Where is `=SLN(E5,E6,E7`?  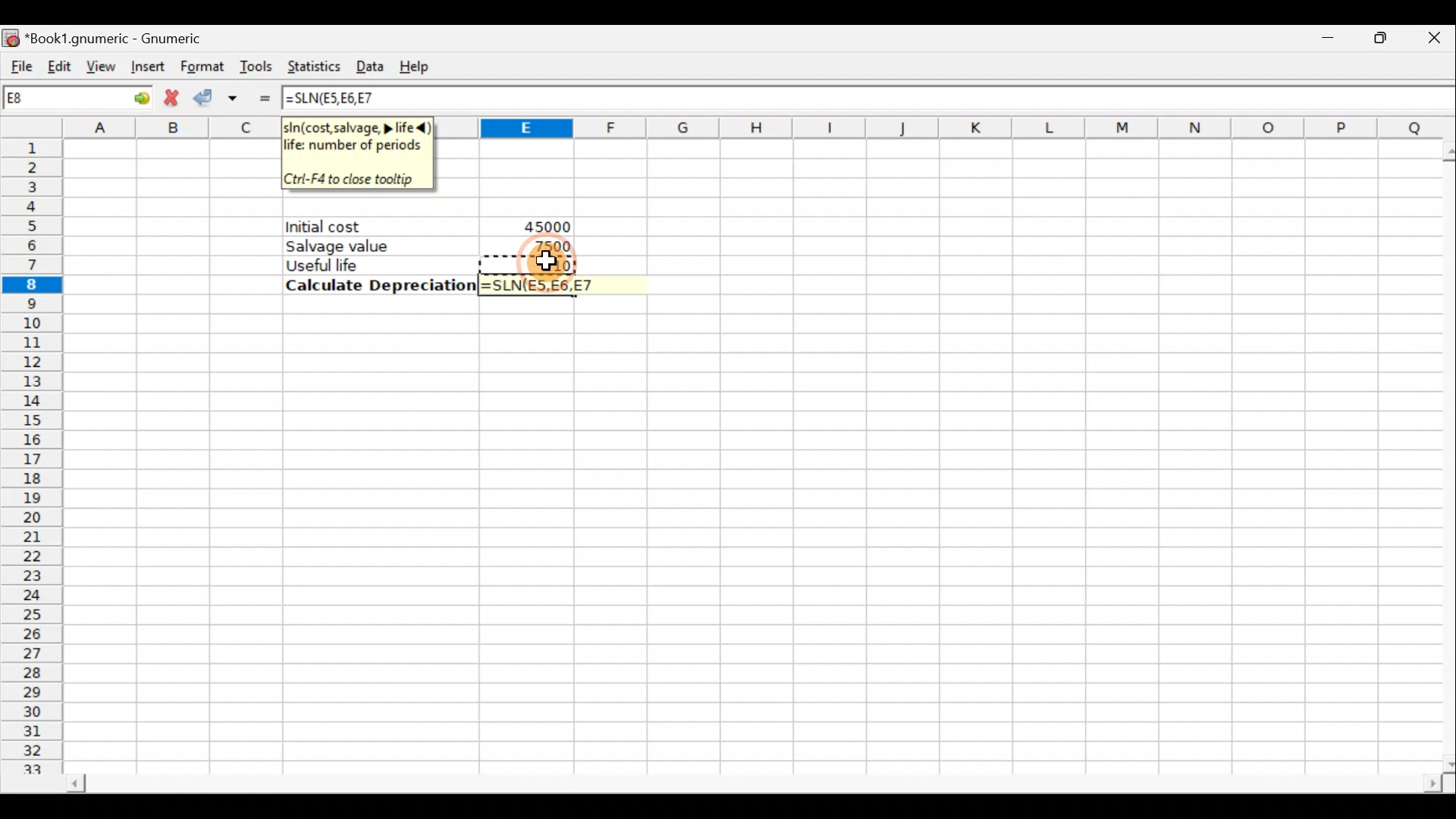 =SLN(E5,E6,E7 is located at coordinates (331, 98).